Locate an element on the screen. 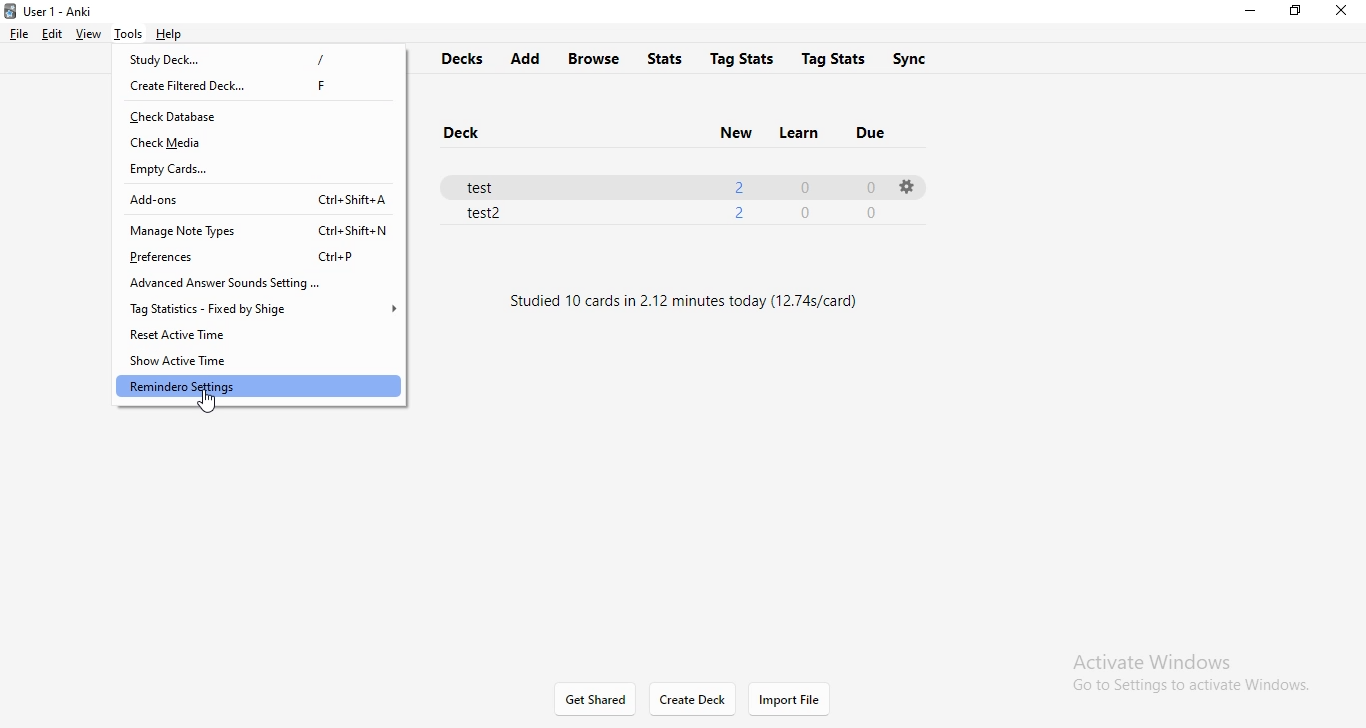  help is located at coordinates (166, 34).